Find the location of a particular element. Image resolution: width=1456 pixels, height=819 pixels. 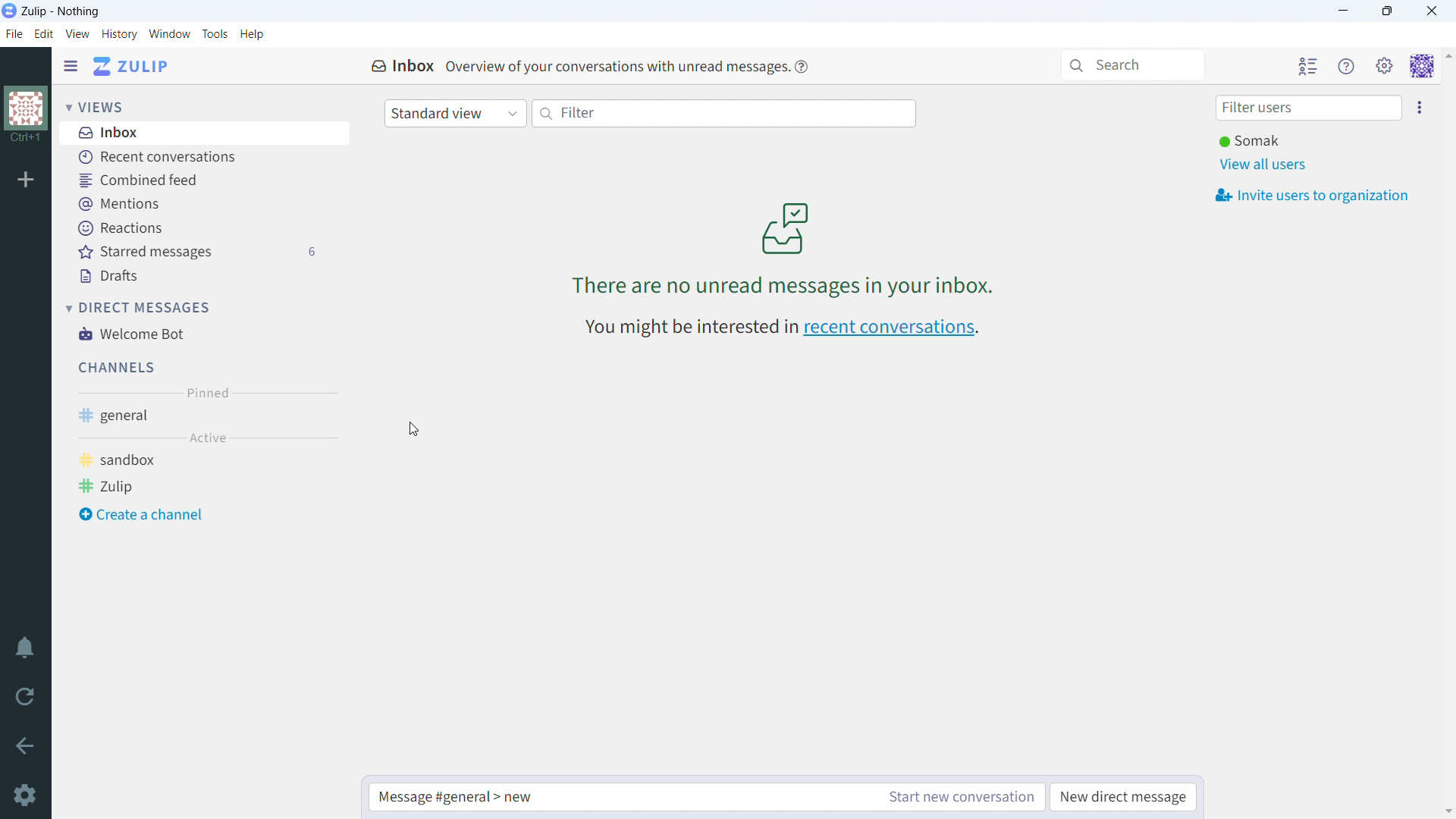

standard view is located at coordinates (455, 114).